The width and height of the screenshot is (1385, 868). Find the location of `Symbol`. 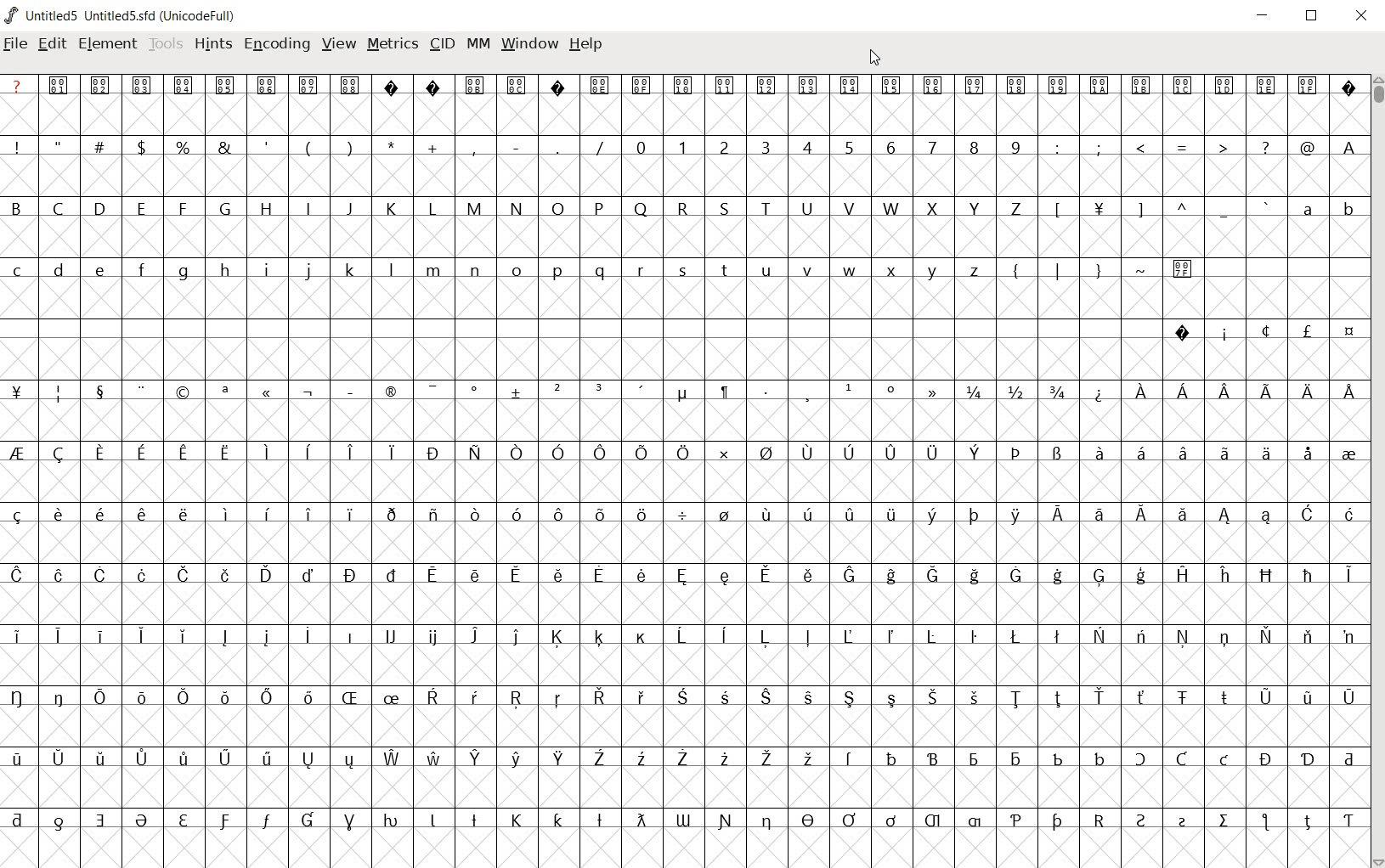

Symbol is located at coordinates (644, 86).